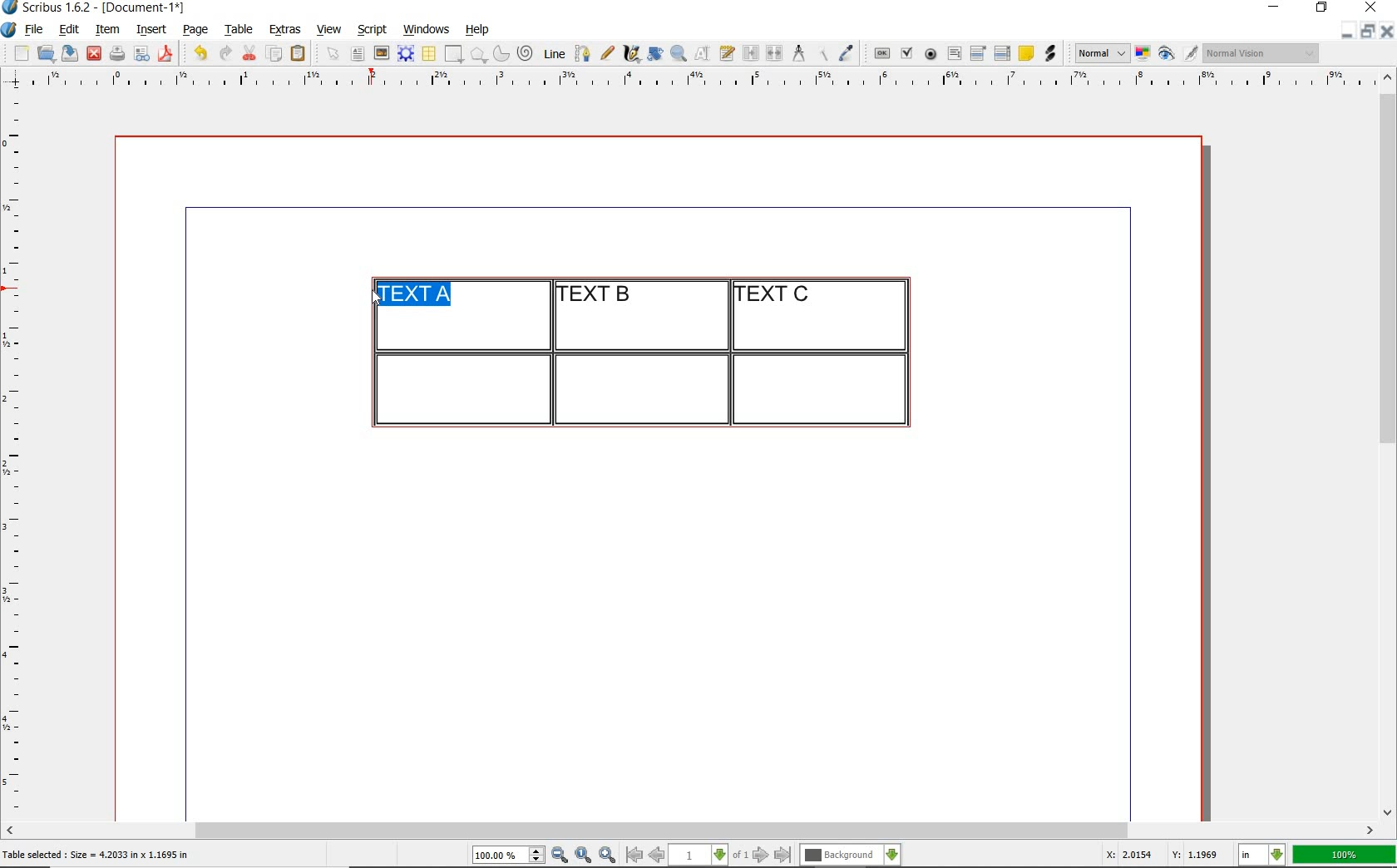 The image size is (1397, 868). Describe the element at coordinates (1368, 30) in the screenshot. I see `restore` at that location.